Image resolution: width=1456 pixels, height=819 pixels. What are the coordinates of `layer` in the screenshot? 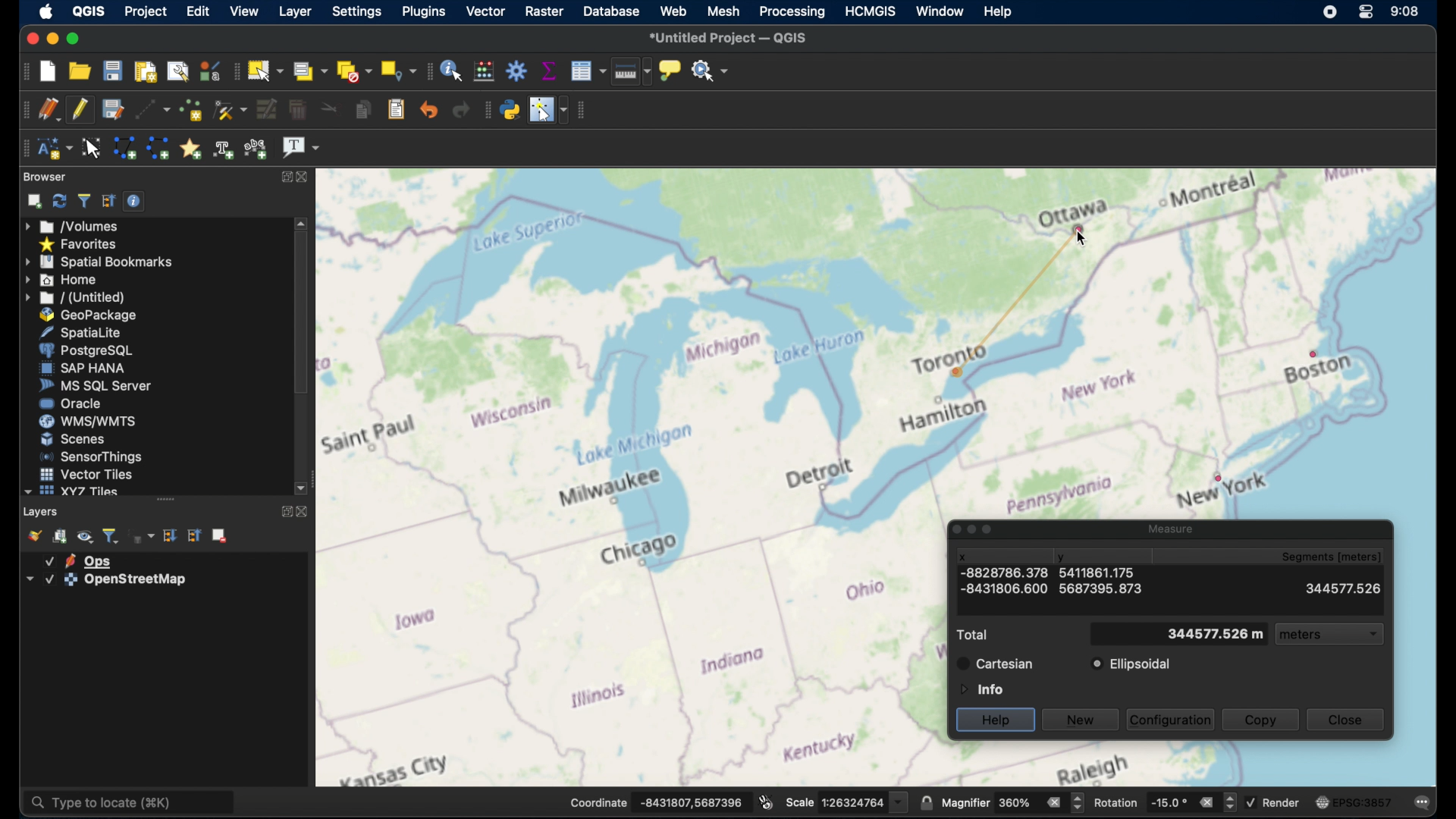 It's located at (79, 560).